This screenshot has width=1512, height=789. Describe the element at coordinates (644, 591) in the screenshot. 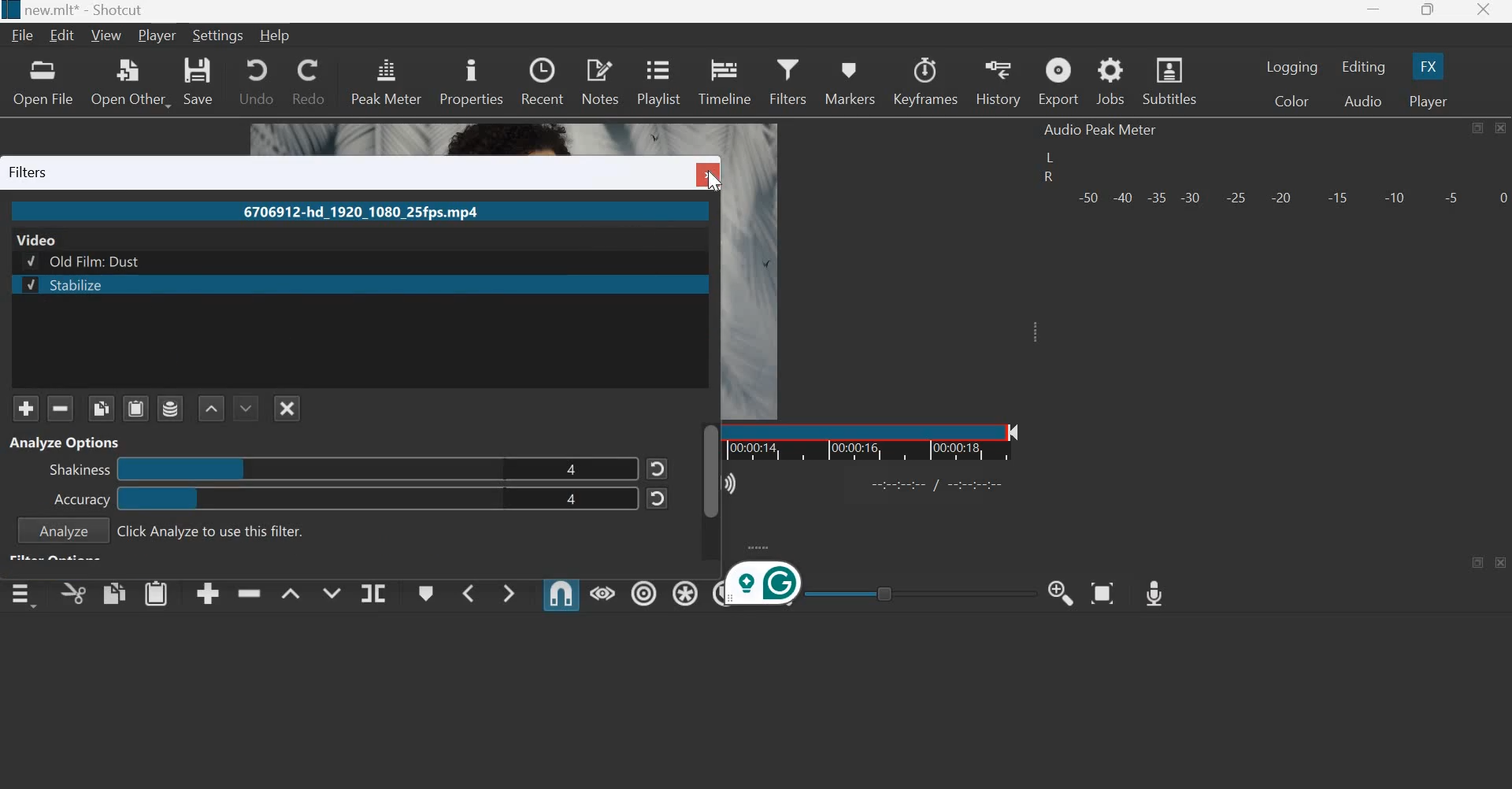

I see `Ripple` at that location.